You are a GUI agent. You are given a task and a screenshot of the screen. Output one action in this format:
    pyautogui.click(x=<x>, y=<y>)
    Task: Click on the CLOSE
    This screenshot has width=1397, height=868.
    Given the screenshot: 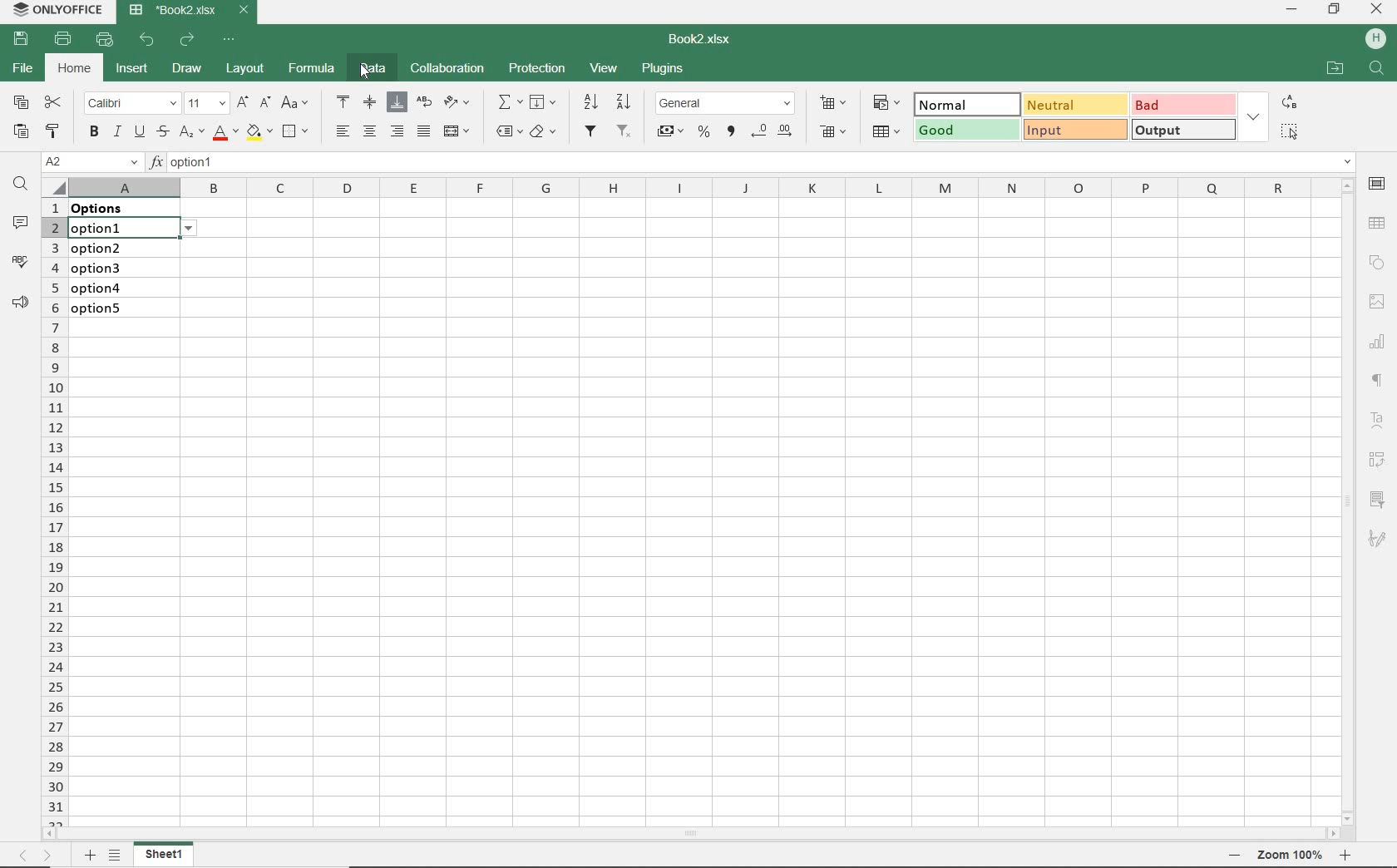 What is the action you would take?
    pyautogui.click(x=1378, y=8)
    